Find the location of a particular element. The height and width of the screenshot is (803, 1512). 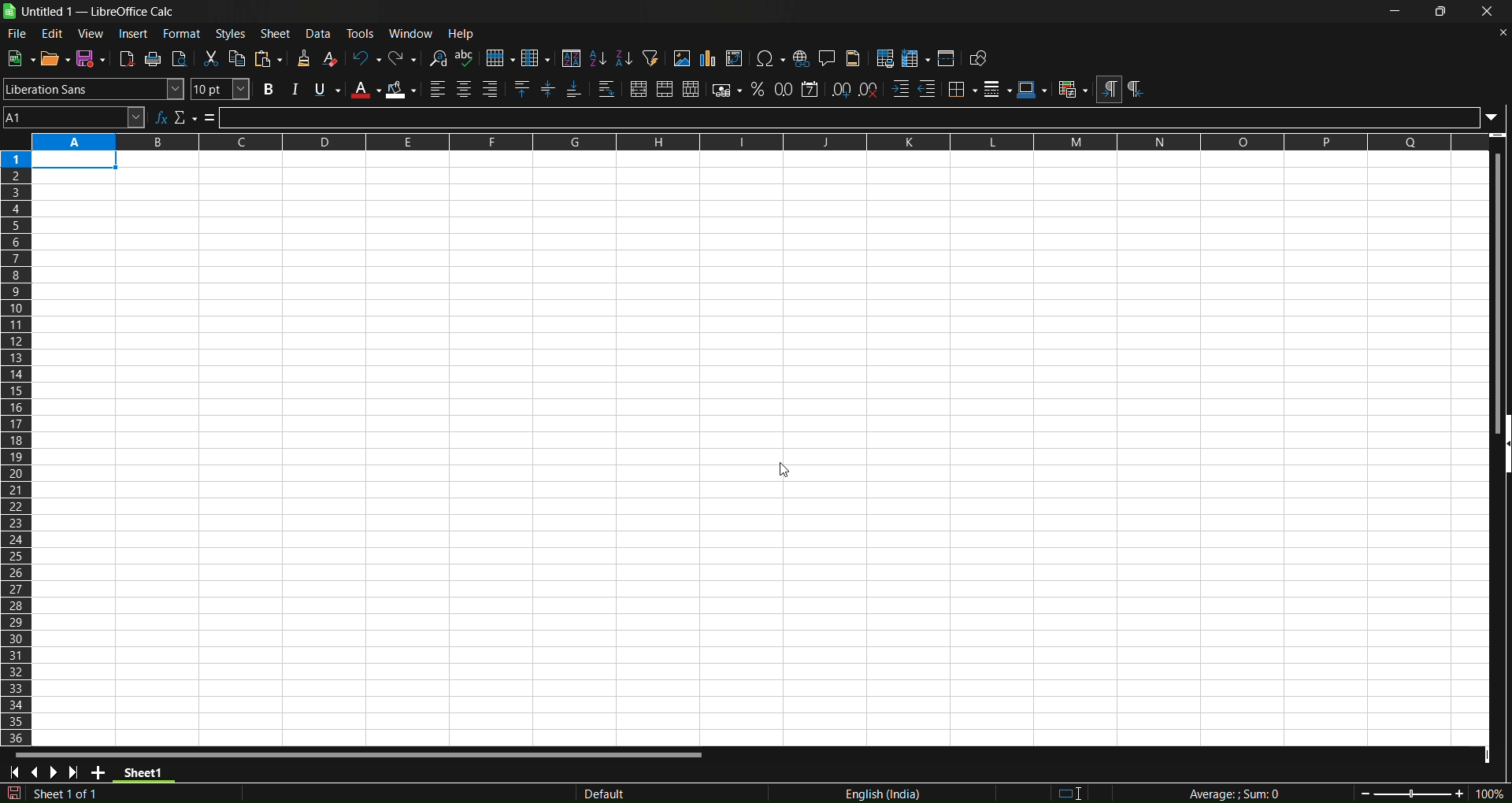

align left is located at coordinates (438, 89).